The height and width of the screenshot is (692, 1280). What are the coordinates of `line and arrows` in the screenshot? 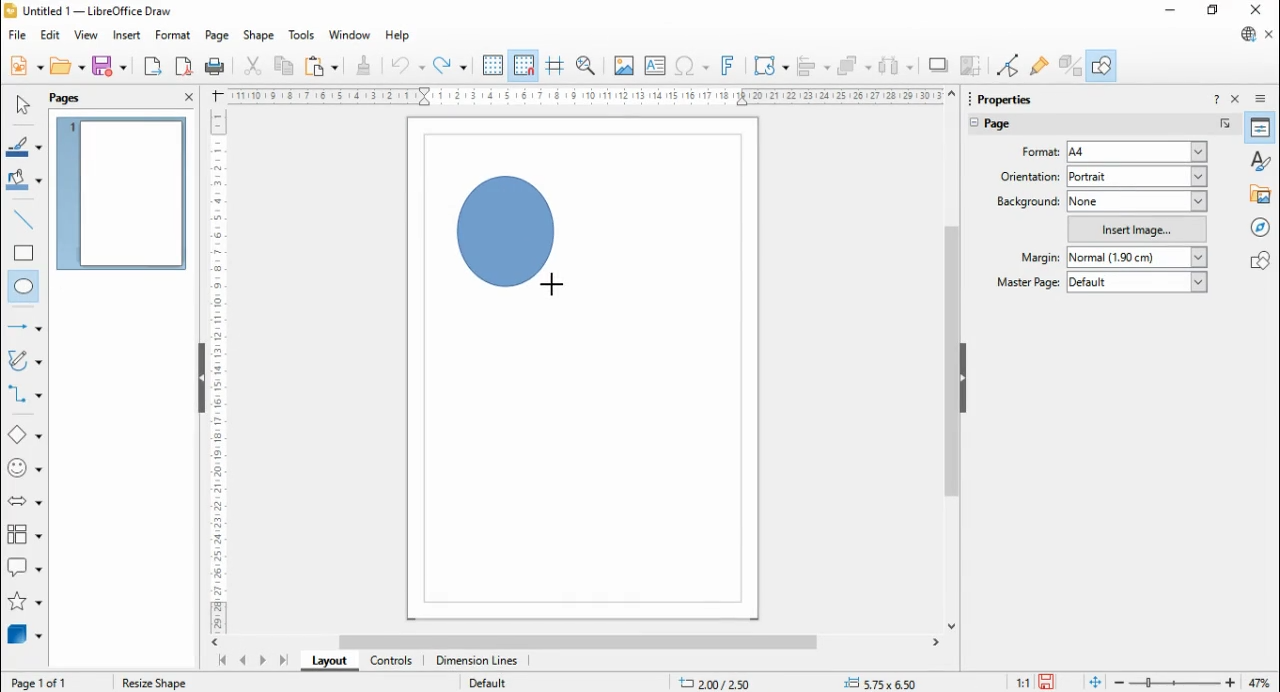 It's located at (25, 327).